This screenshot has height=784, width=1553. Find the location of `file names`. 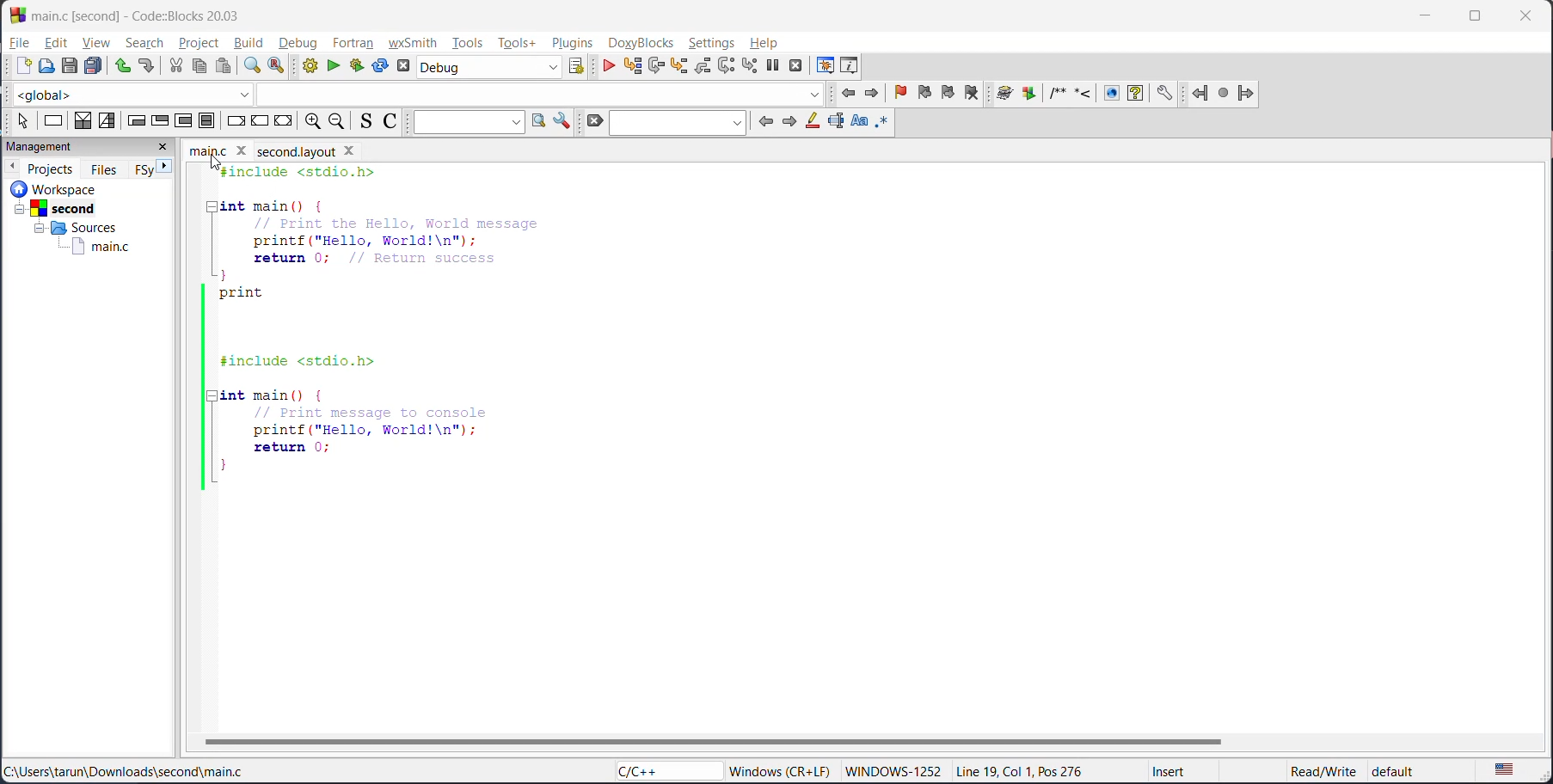

file names is located at coordinates (216, 150).